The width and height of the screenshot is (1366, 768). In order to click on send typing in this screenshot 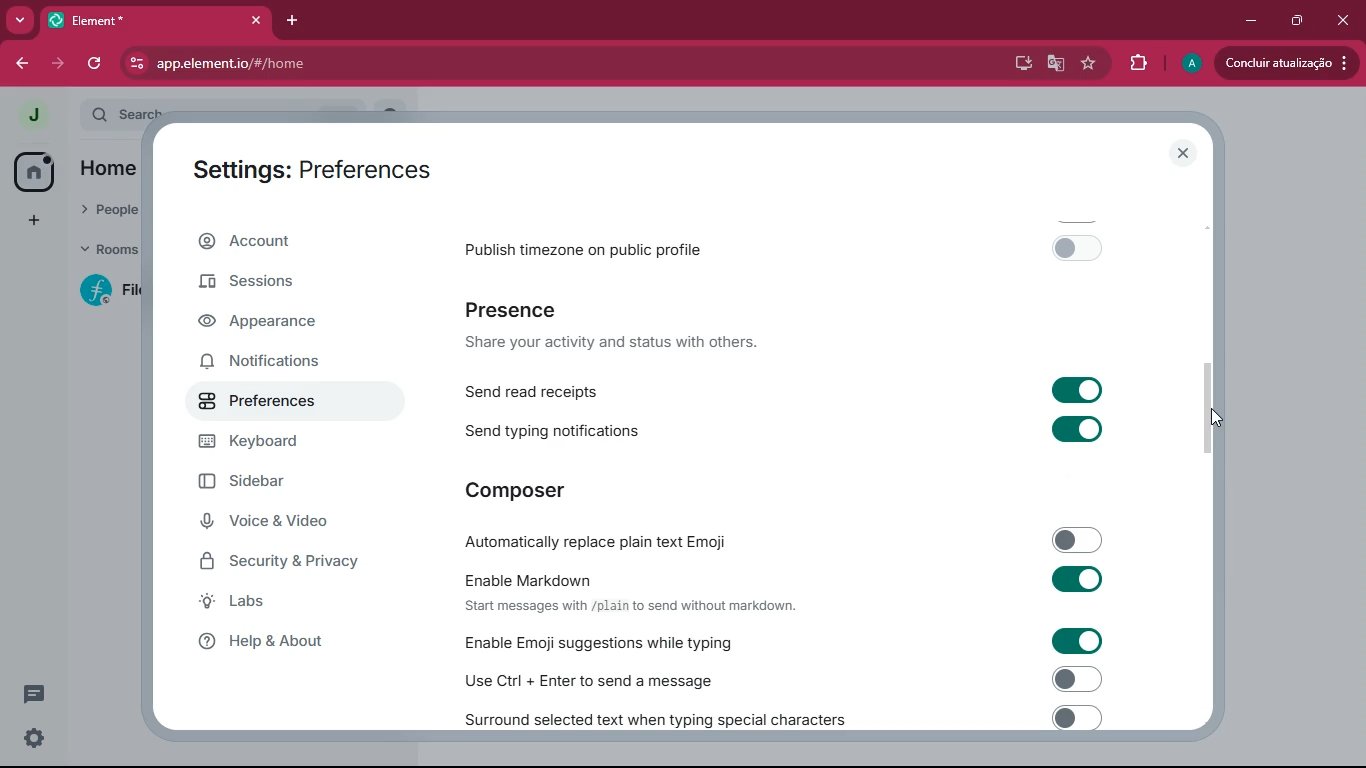, I will do `click(785, 430)`.